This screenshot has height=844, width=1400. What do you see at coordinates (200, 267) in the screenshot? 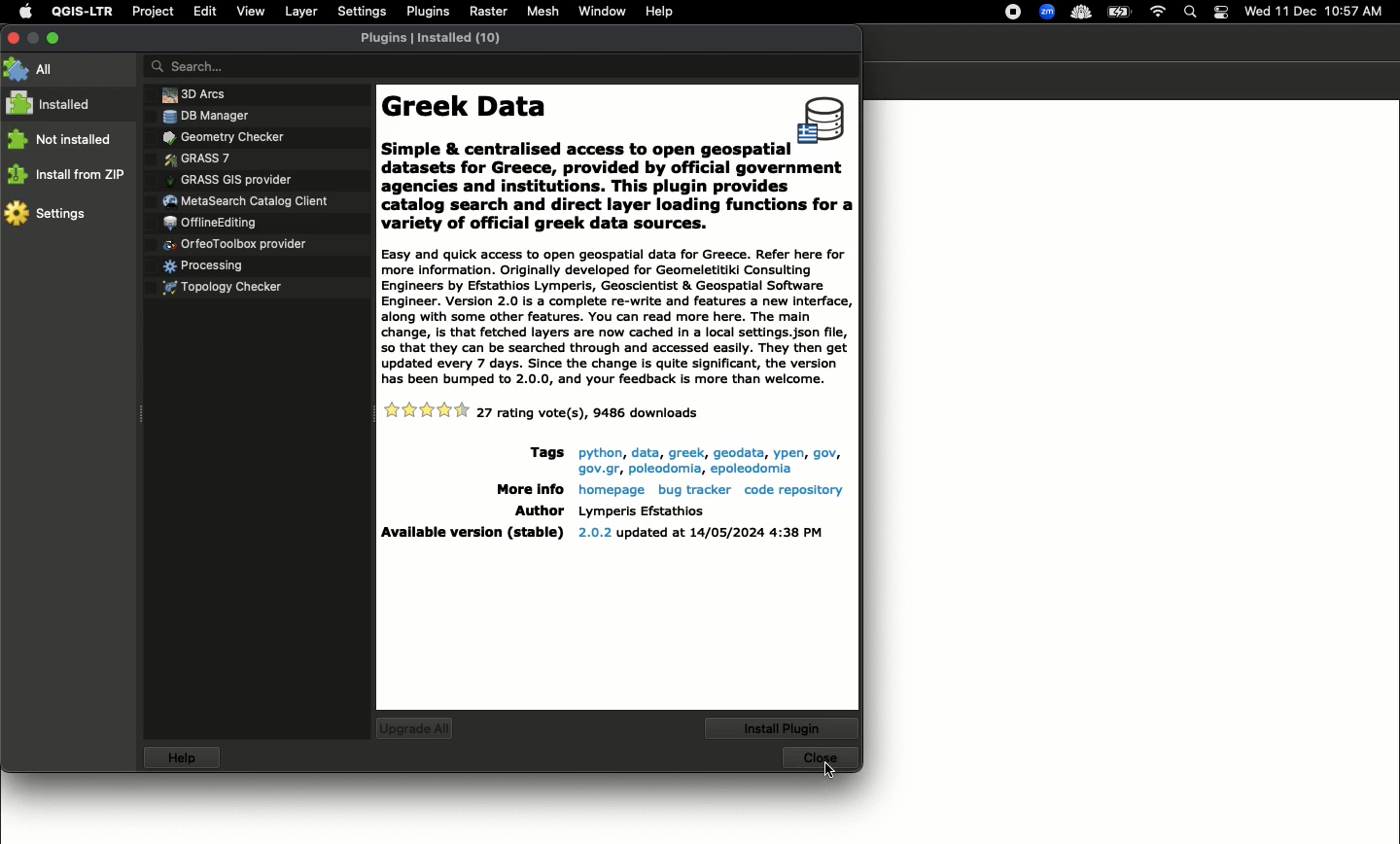
I see `Processing` at bounding box center [200, 267].